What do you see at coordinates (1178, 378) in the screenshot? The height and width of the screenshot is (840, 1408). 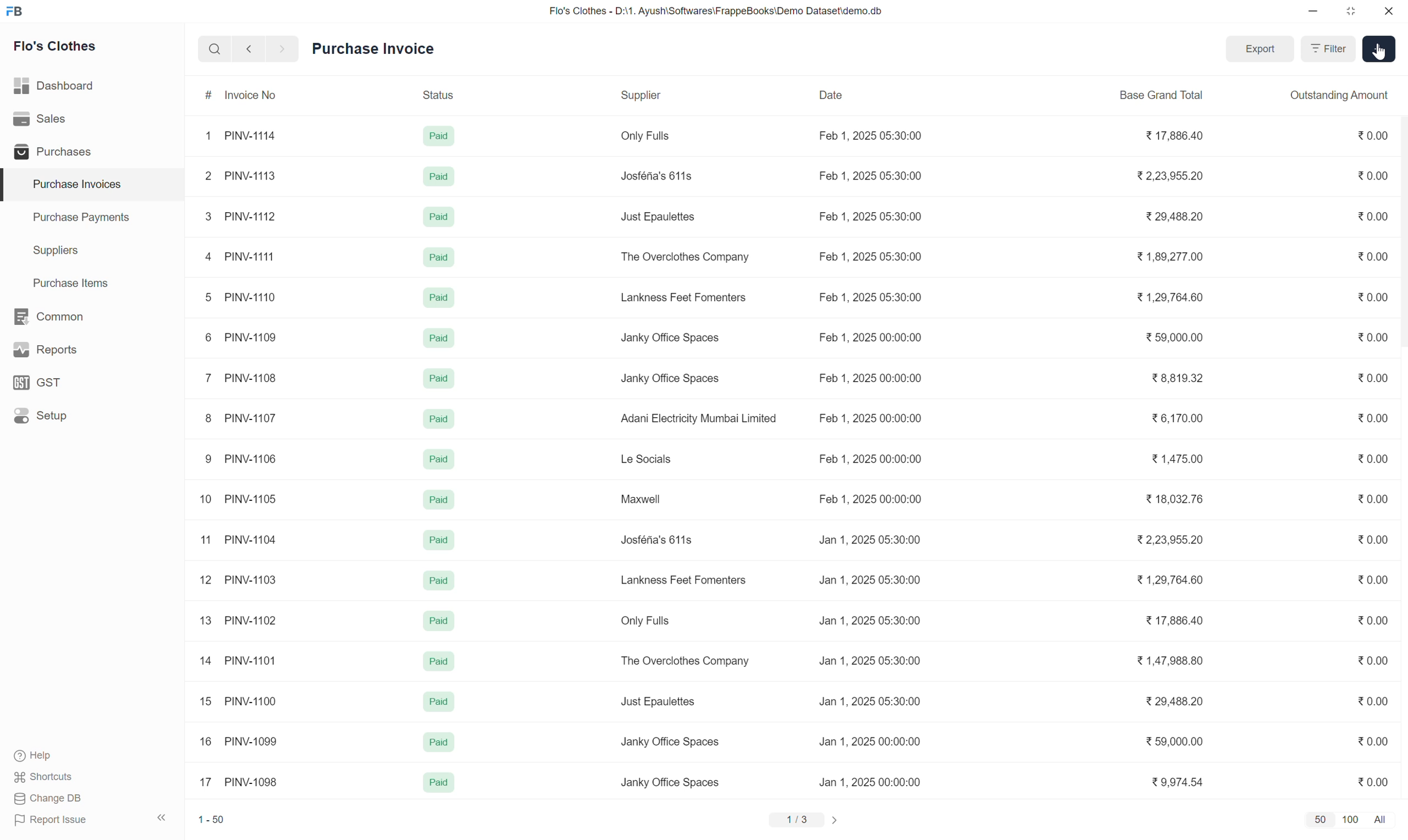 I see `8,819.32` at bounding box center [1178, 378].